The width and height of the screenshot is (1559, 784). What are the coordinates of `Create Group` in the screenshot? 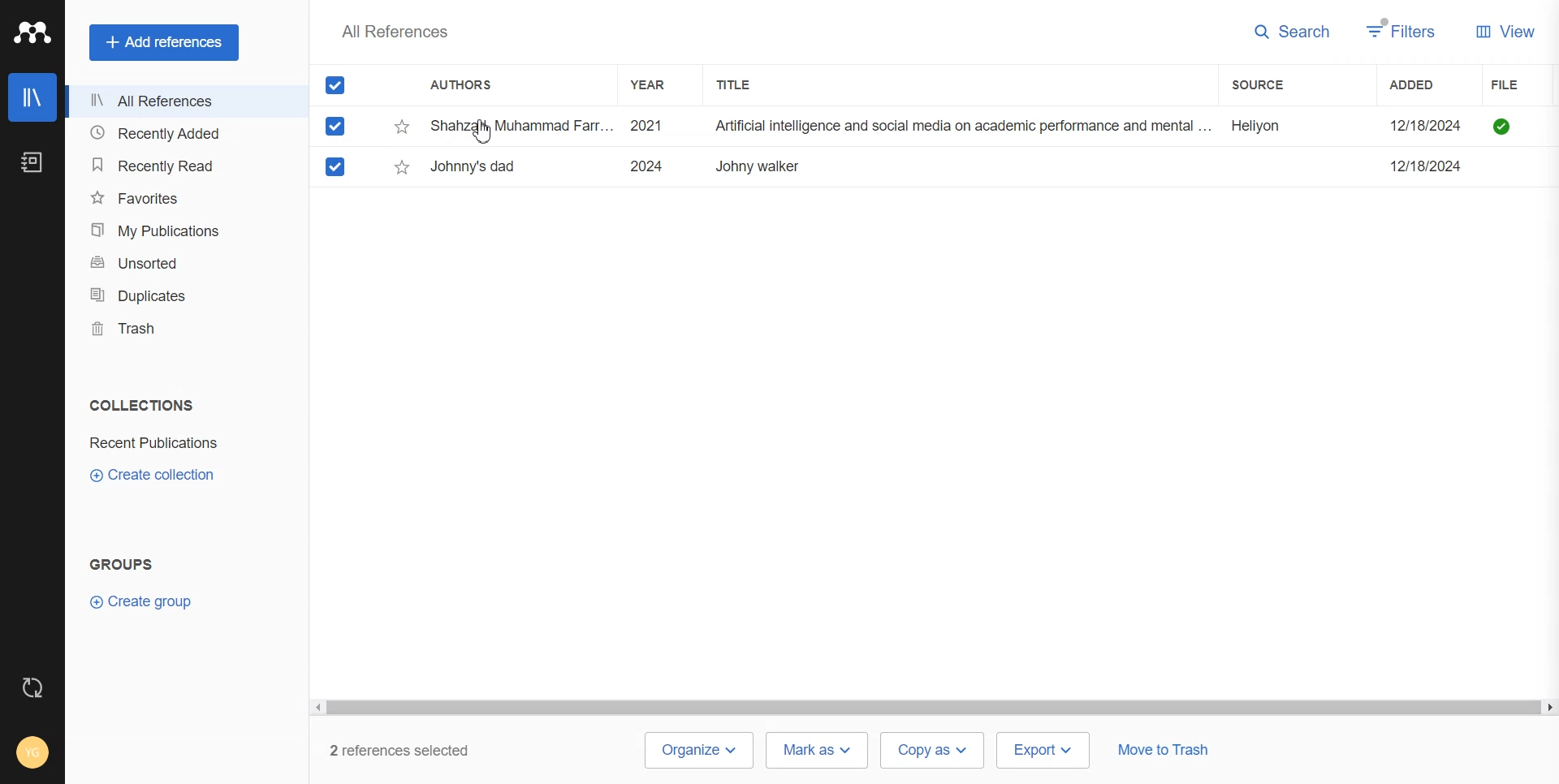 It's located at (149, 601).